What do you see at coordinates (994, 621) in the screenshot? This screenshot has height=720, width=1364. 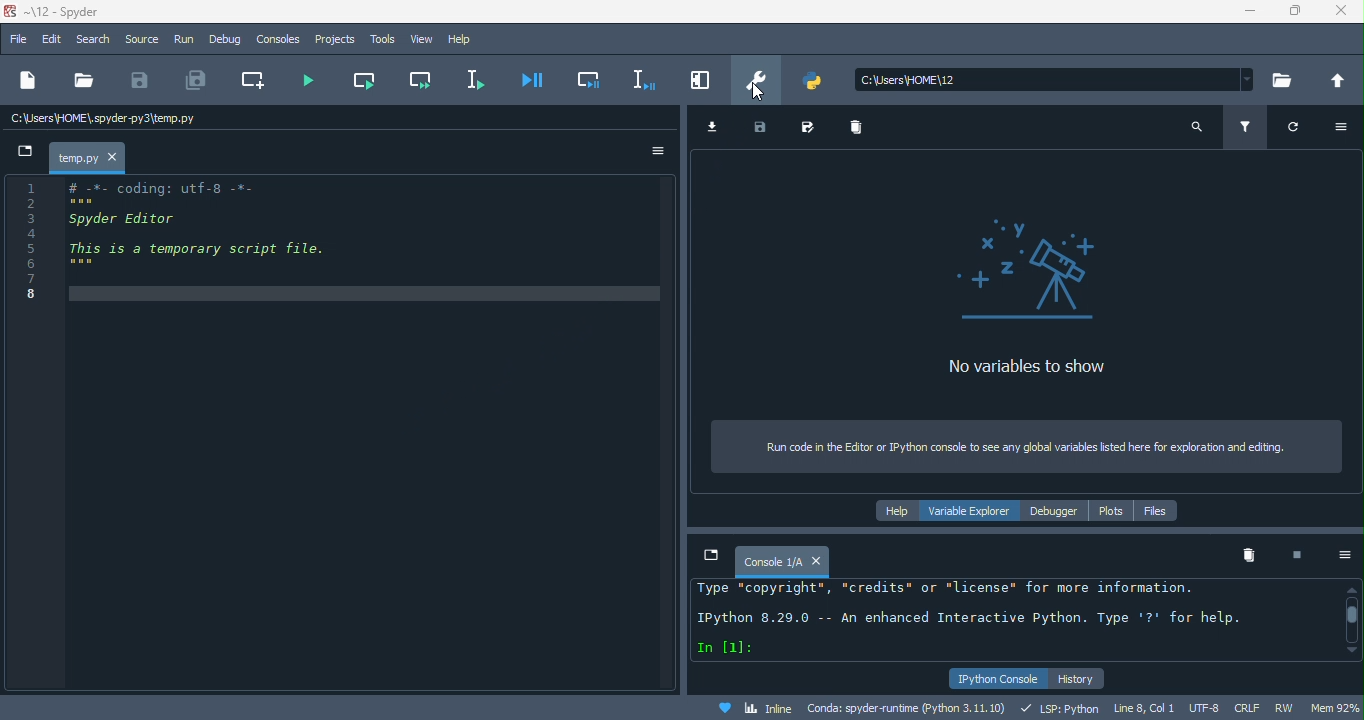 I see `text` at bounding box center [994, 621].